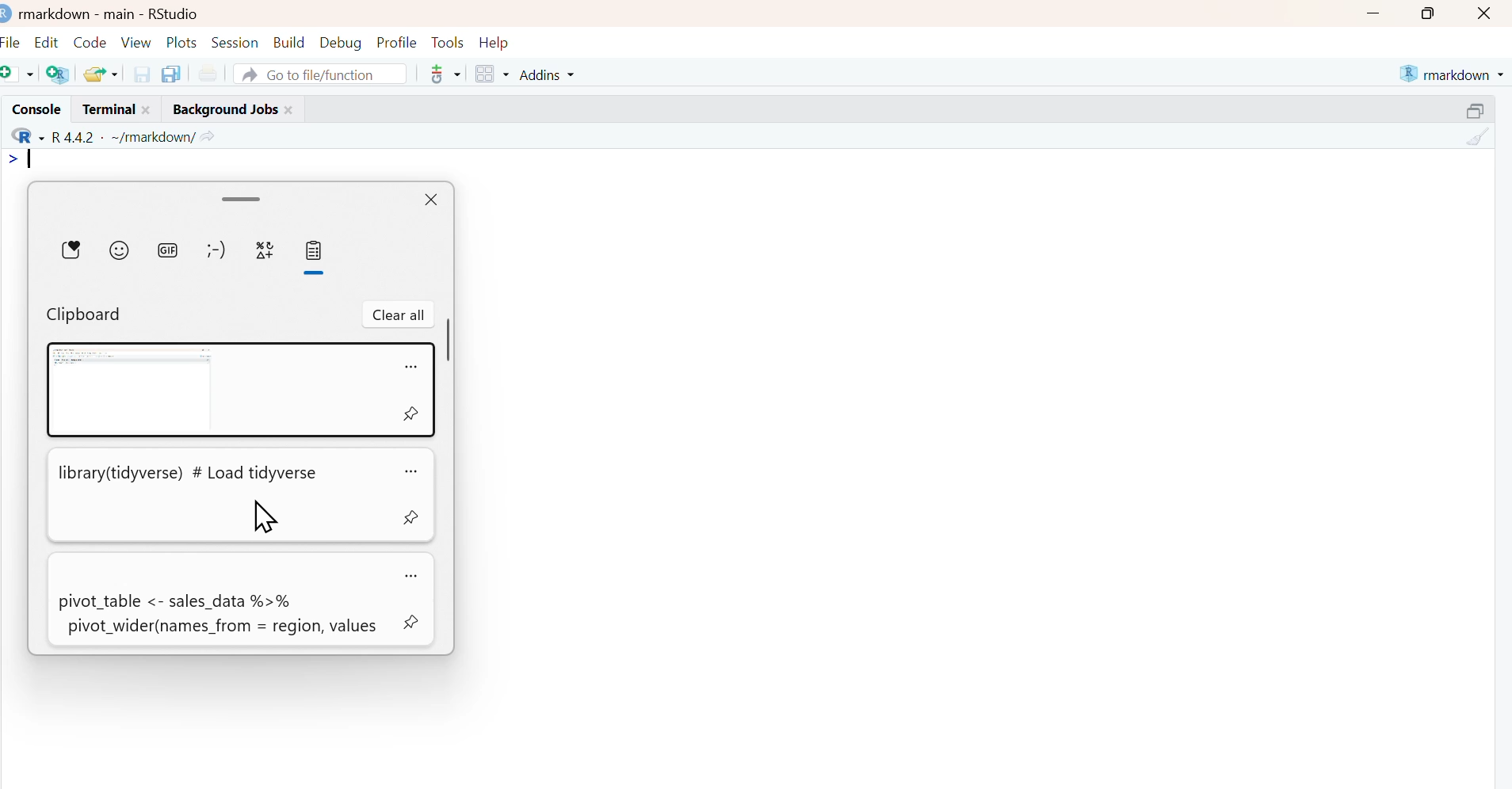  Describe the element at coordinates (78, 12) in the screenshot. I see `markdown - main -` at that location.